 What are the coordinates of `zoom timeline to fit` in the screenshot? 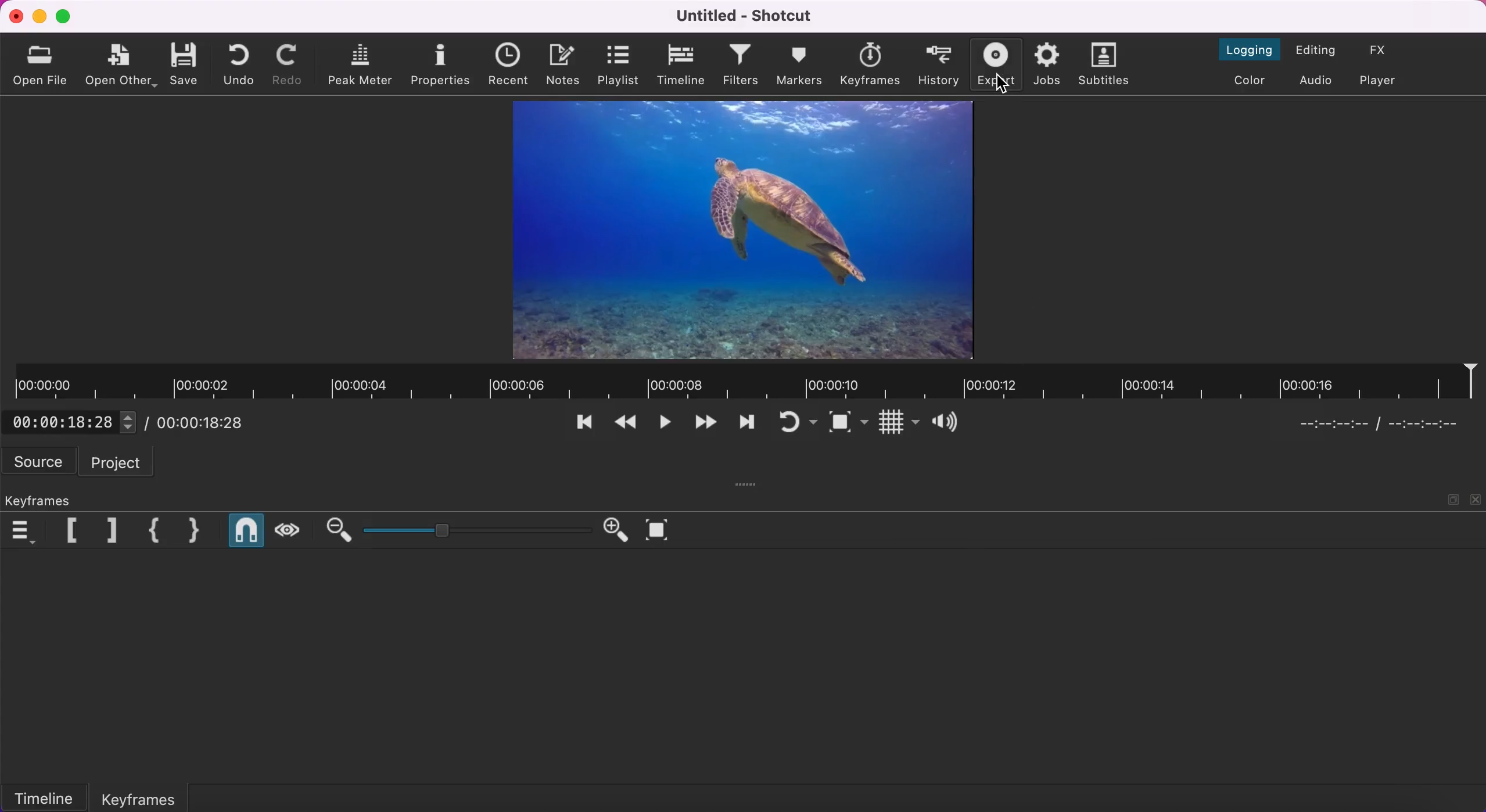 It's located at (661, 531).